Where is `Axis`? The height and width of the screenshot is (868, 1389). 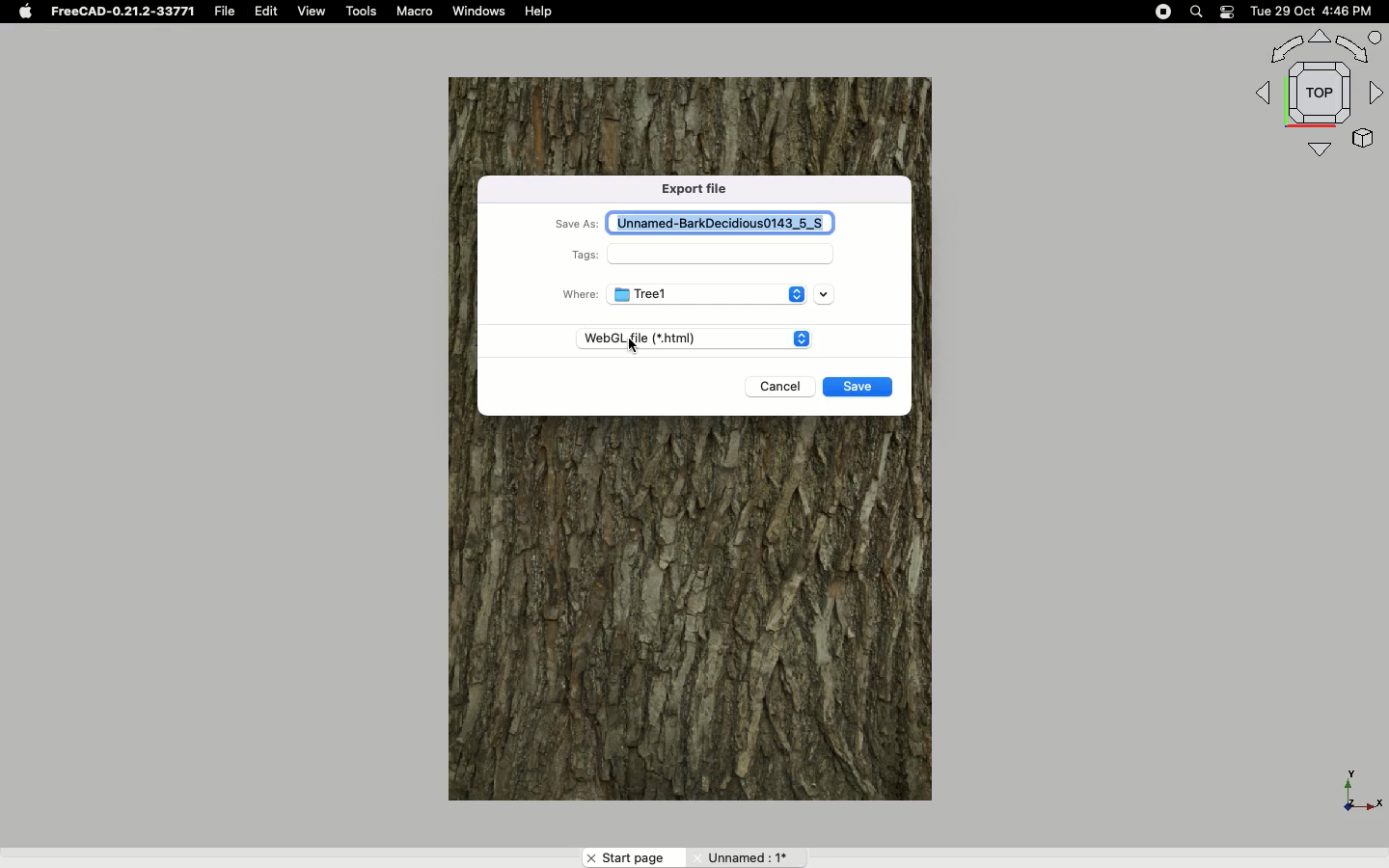
Axis is located at coordinates (1357, 786).